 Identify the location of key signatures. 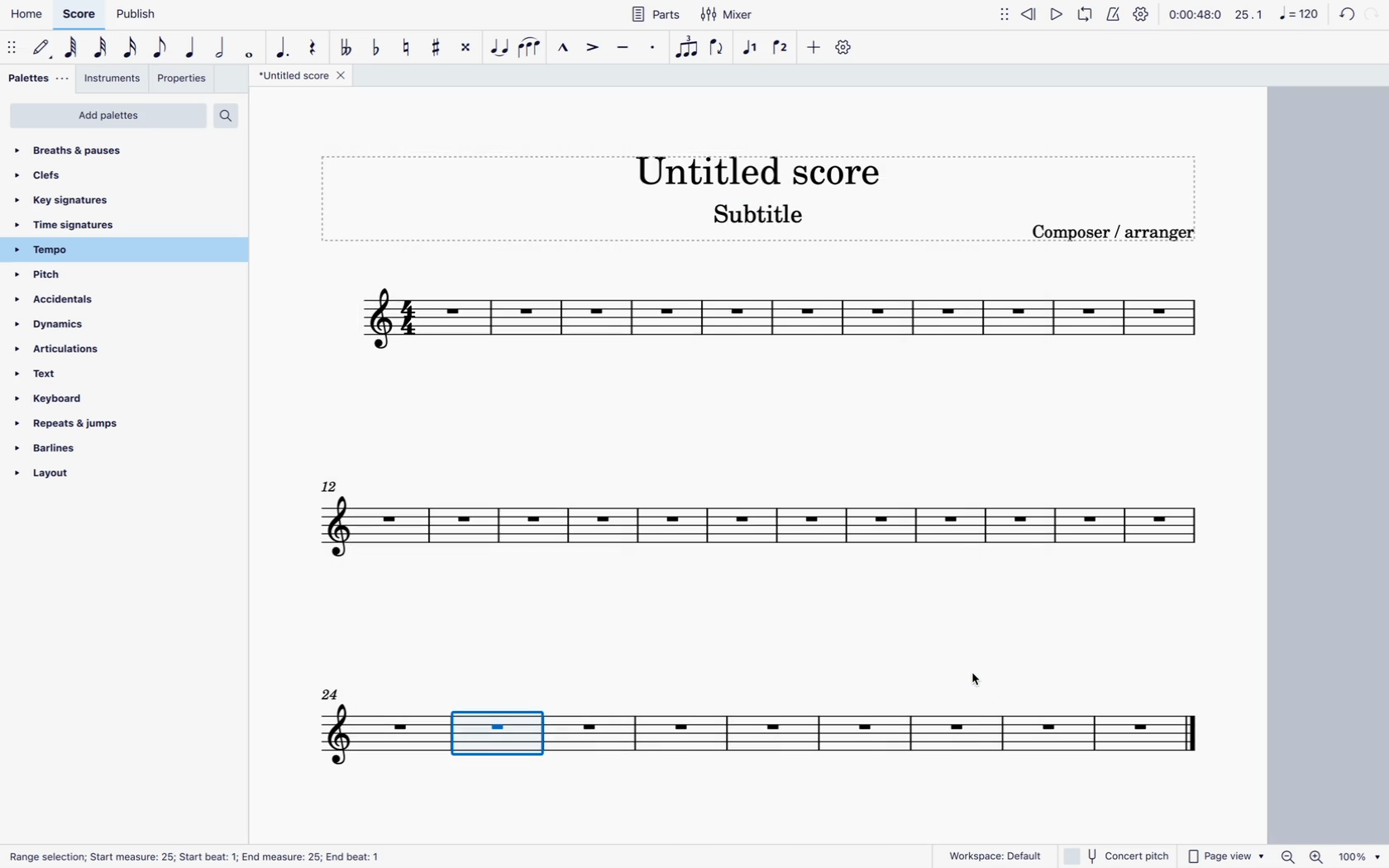
(85, 203).